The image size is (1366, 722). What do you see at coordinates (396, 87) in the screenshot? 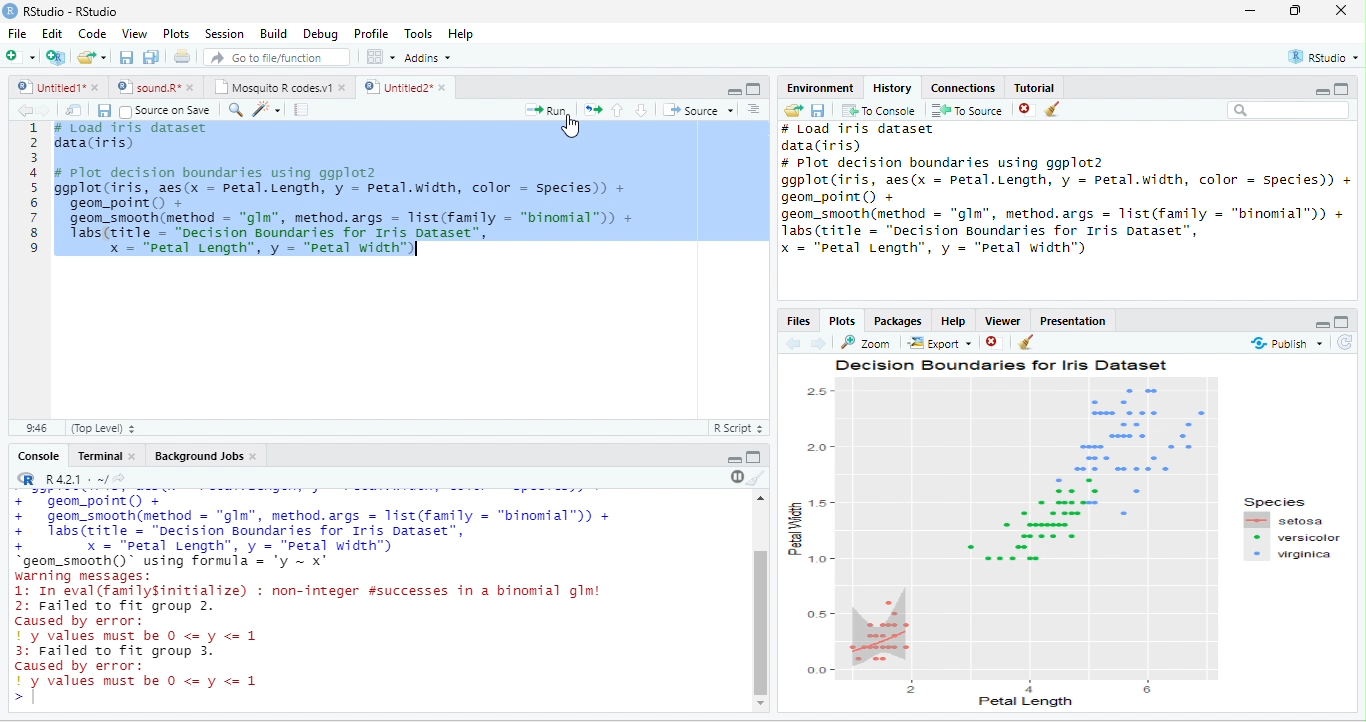
I see `Untitled2` at bounding box center [396, 87].